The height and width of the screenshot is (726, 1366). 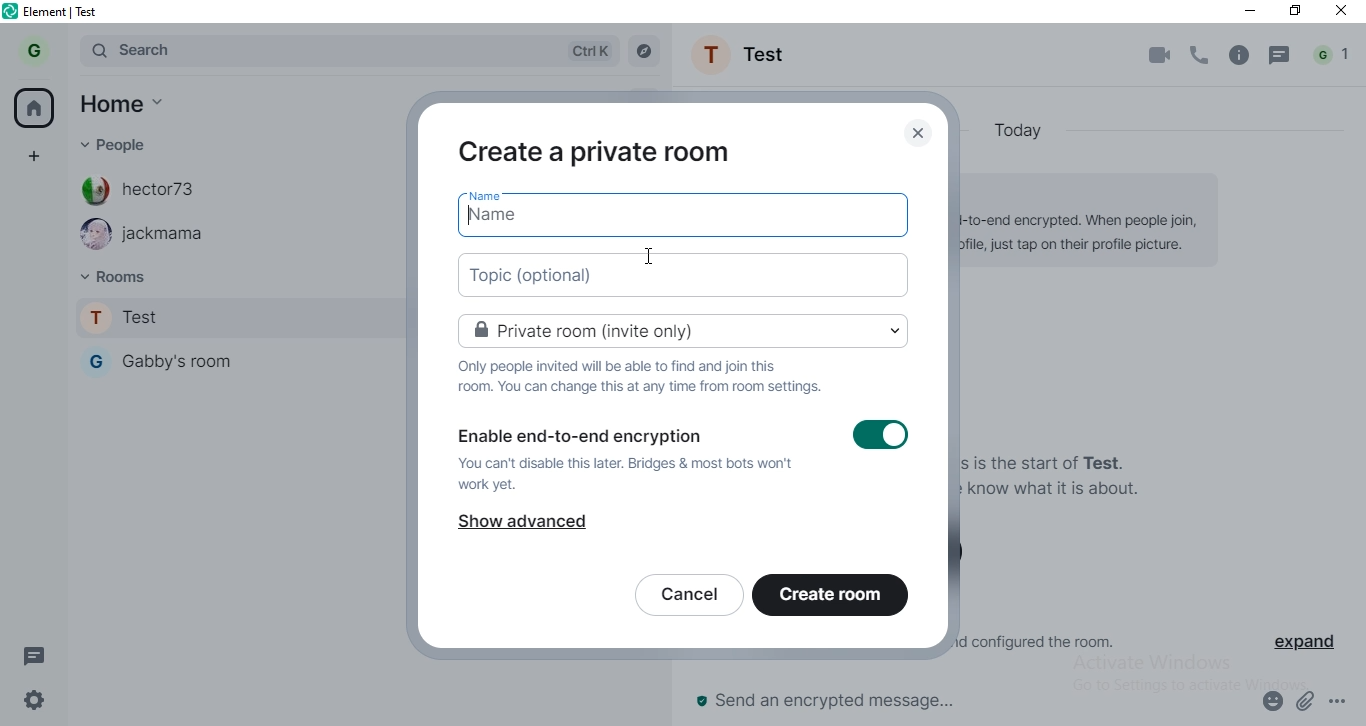 I want to click on name, so click(x=680, y=213).